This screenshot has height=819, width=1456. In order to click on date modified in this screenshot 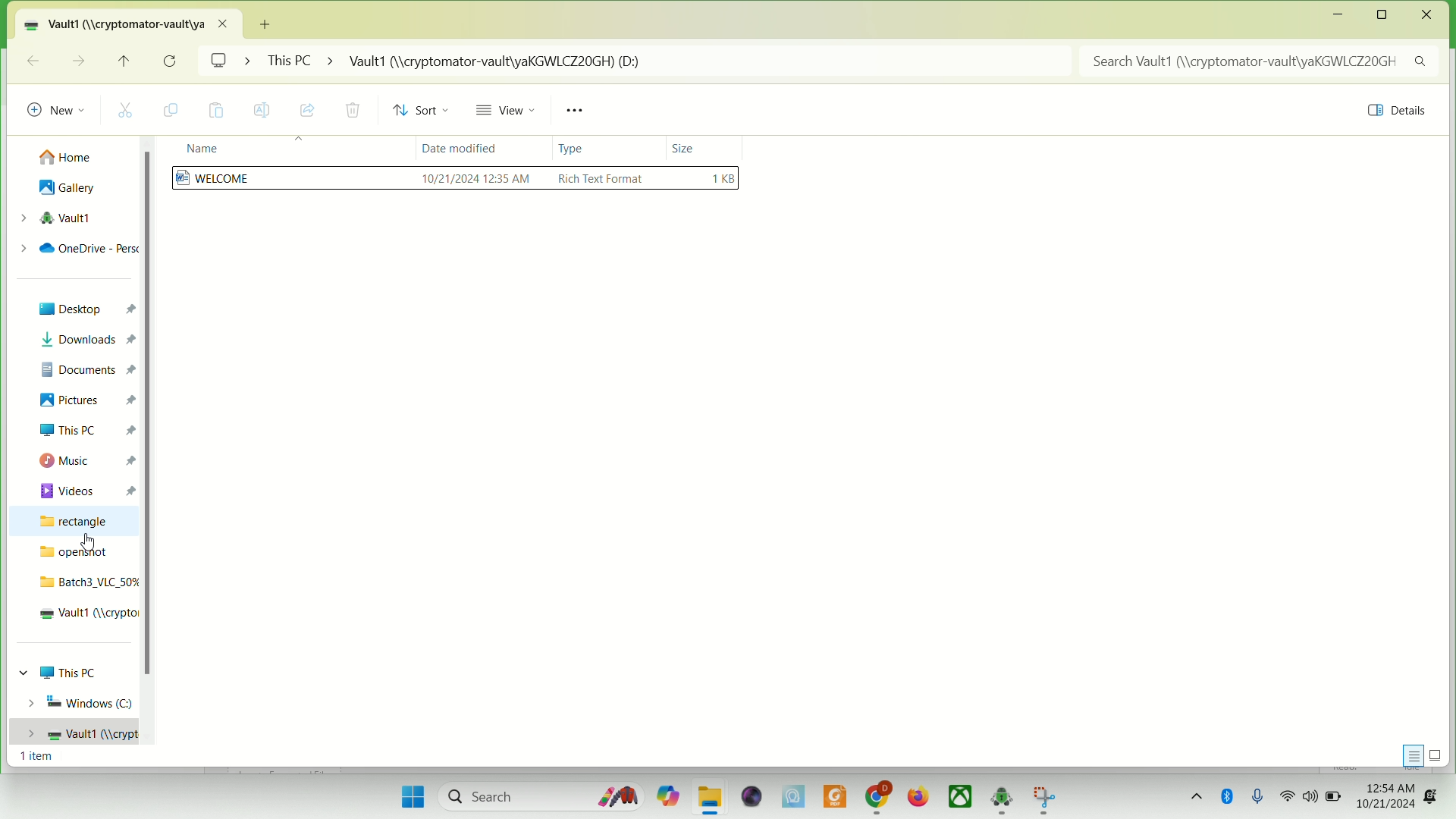, I will do `click(457, 151)`.